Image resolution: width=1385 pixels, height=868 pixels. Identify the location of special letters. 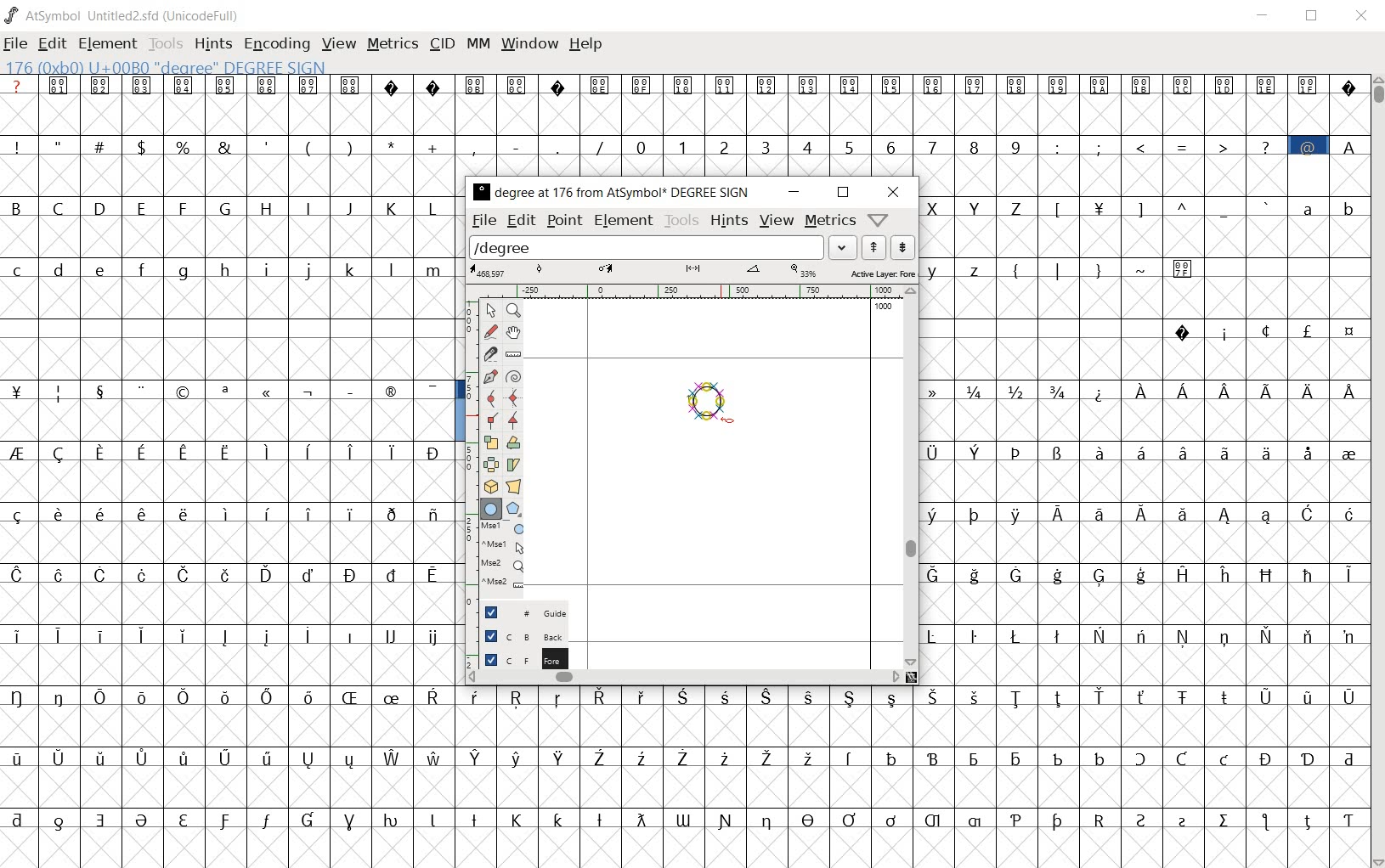
(227, 695).